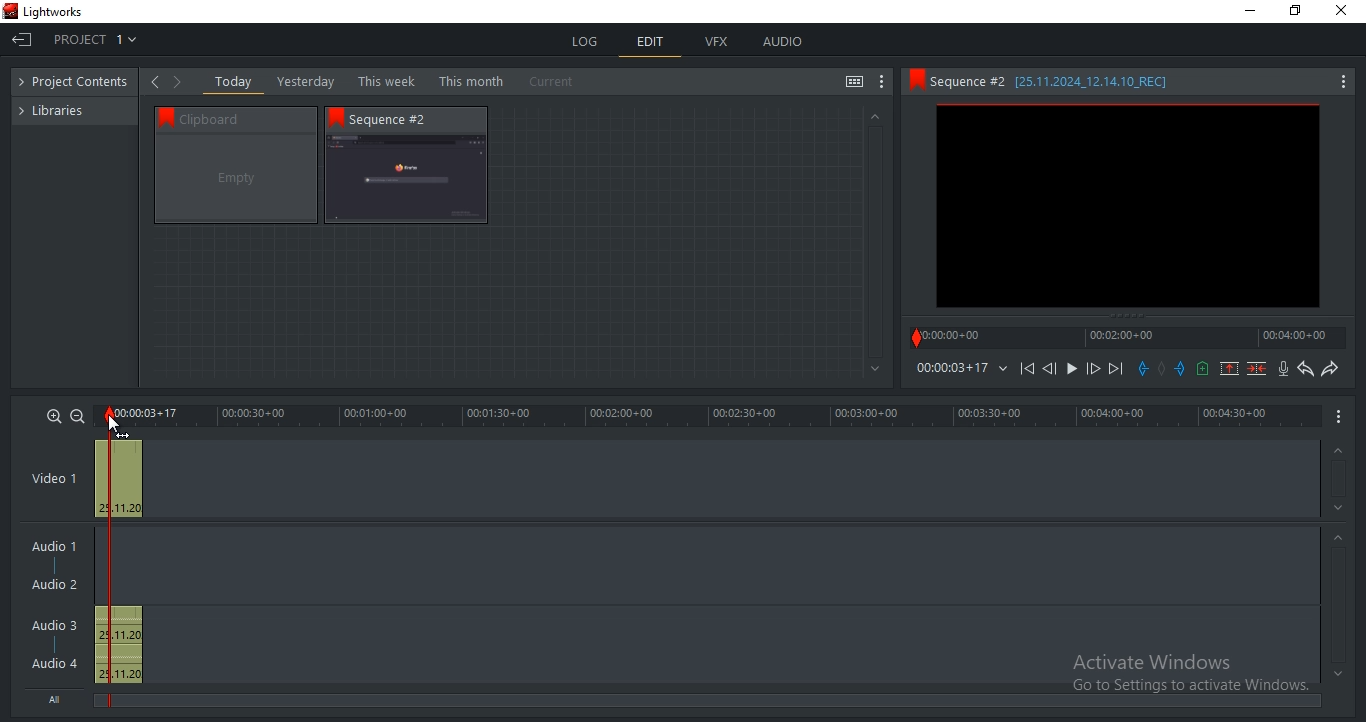  What do you see at coordinates (1251, 11) in the screenshot?
I see `minimize` at bounding box center [1251, 11].